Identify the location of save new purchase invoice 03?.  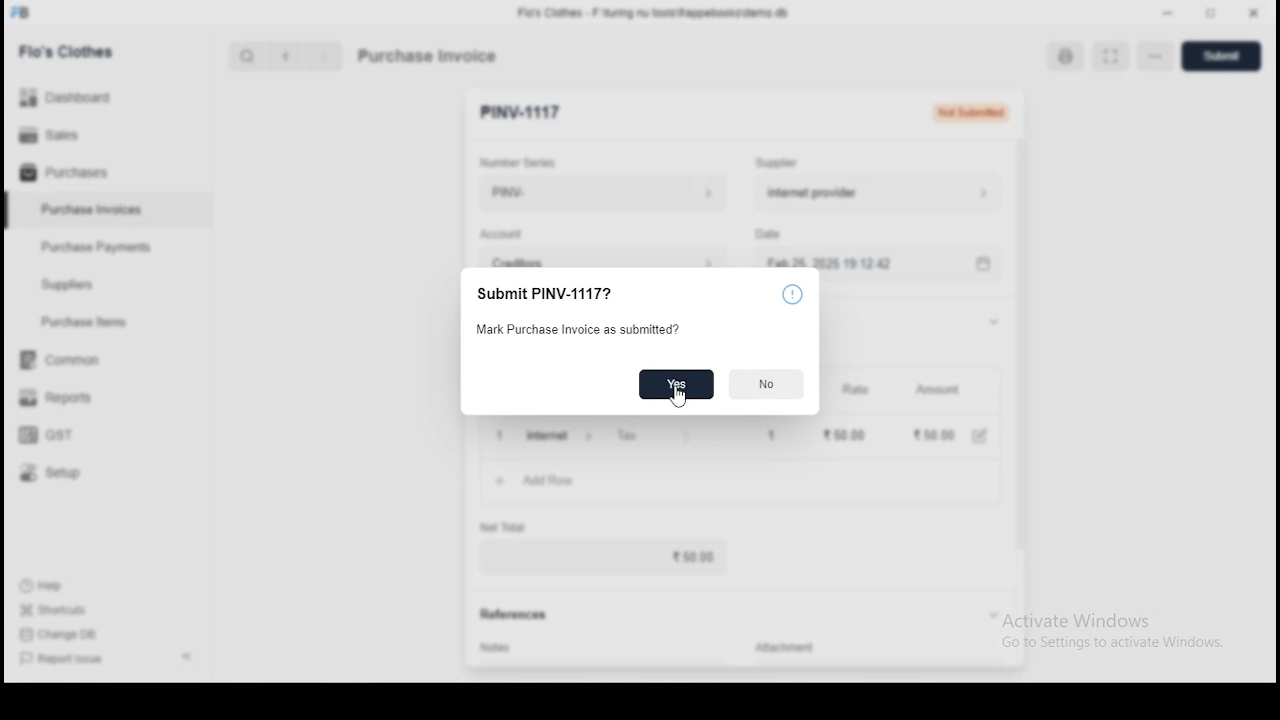
(601, 292).